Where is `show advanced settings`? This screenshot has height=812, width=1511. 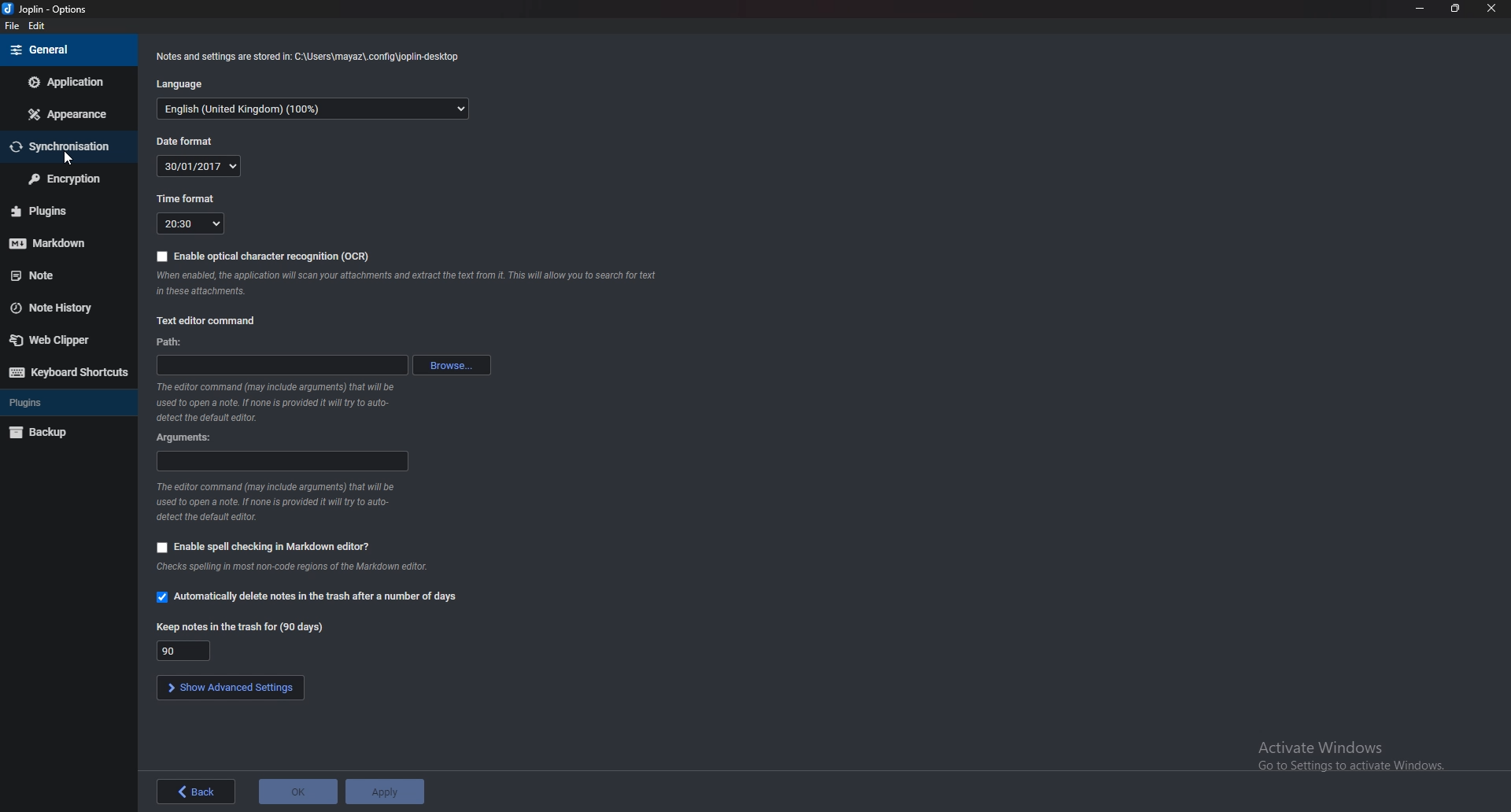
show advanced settings is located at coordinates (231, 688).